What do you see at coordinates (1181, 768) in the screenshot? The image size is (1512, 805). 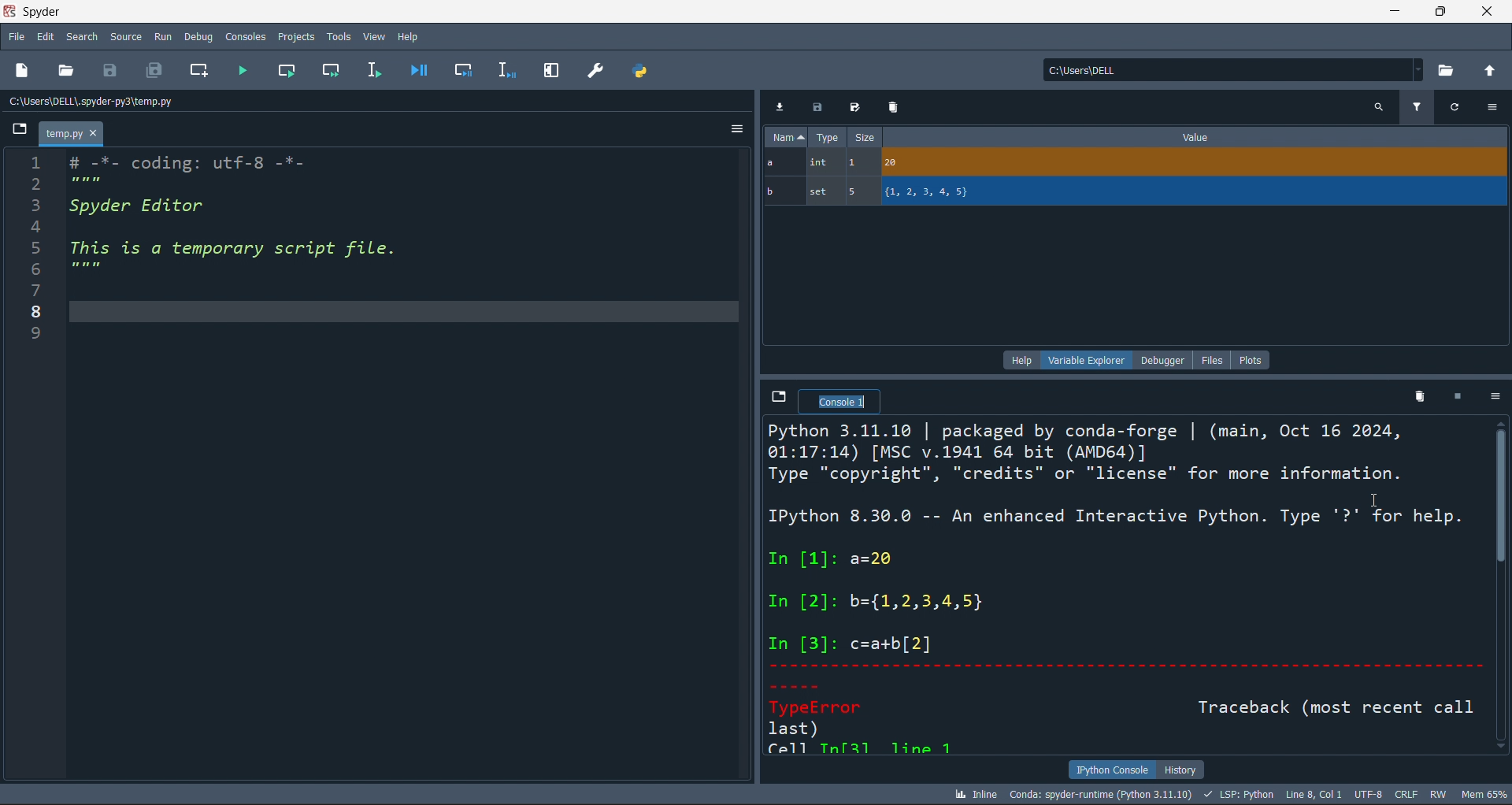 I see `history` at bounding box center [1181, 768].